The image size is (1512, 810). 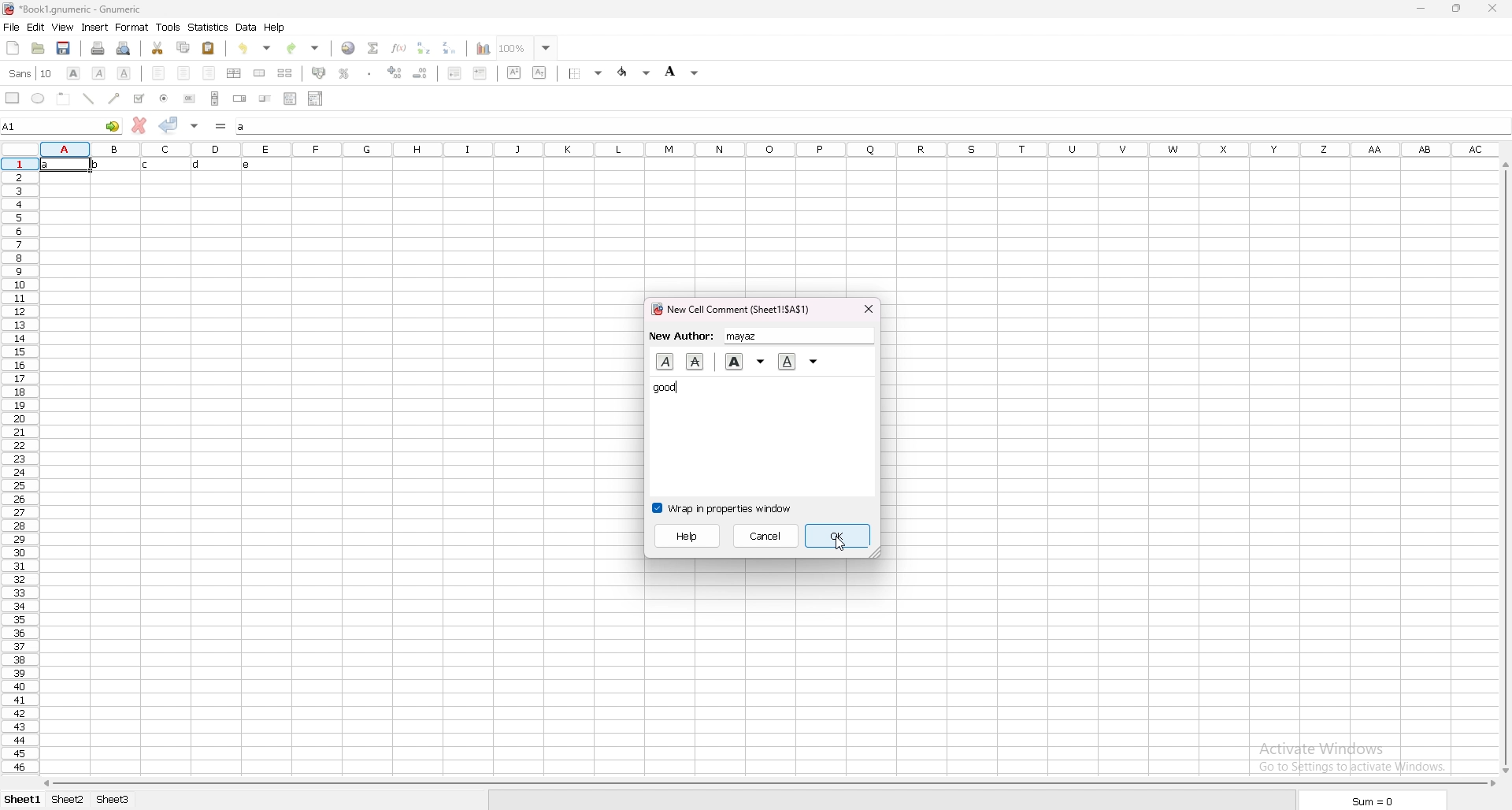 I want to click on function, so click(x=399, y=48).